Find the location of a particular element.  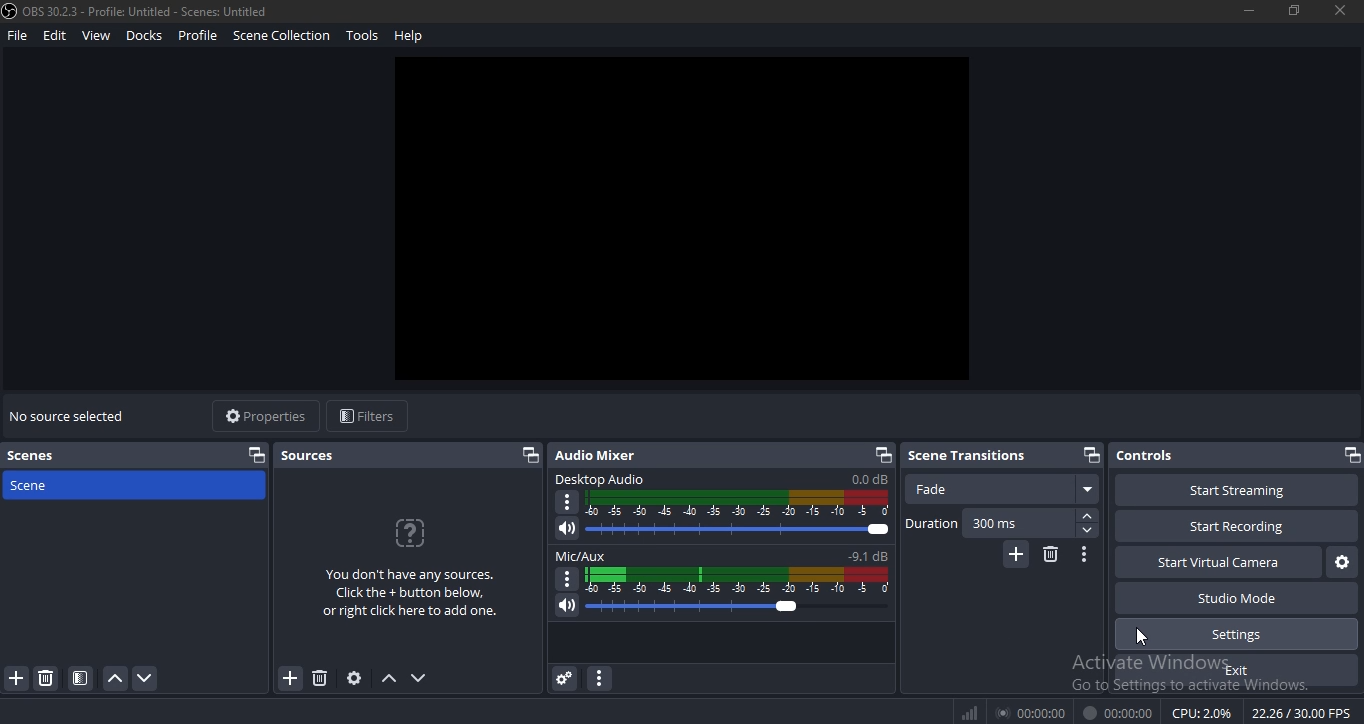

restore is located at coordinates (256, 454).